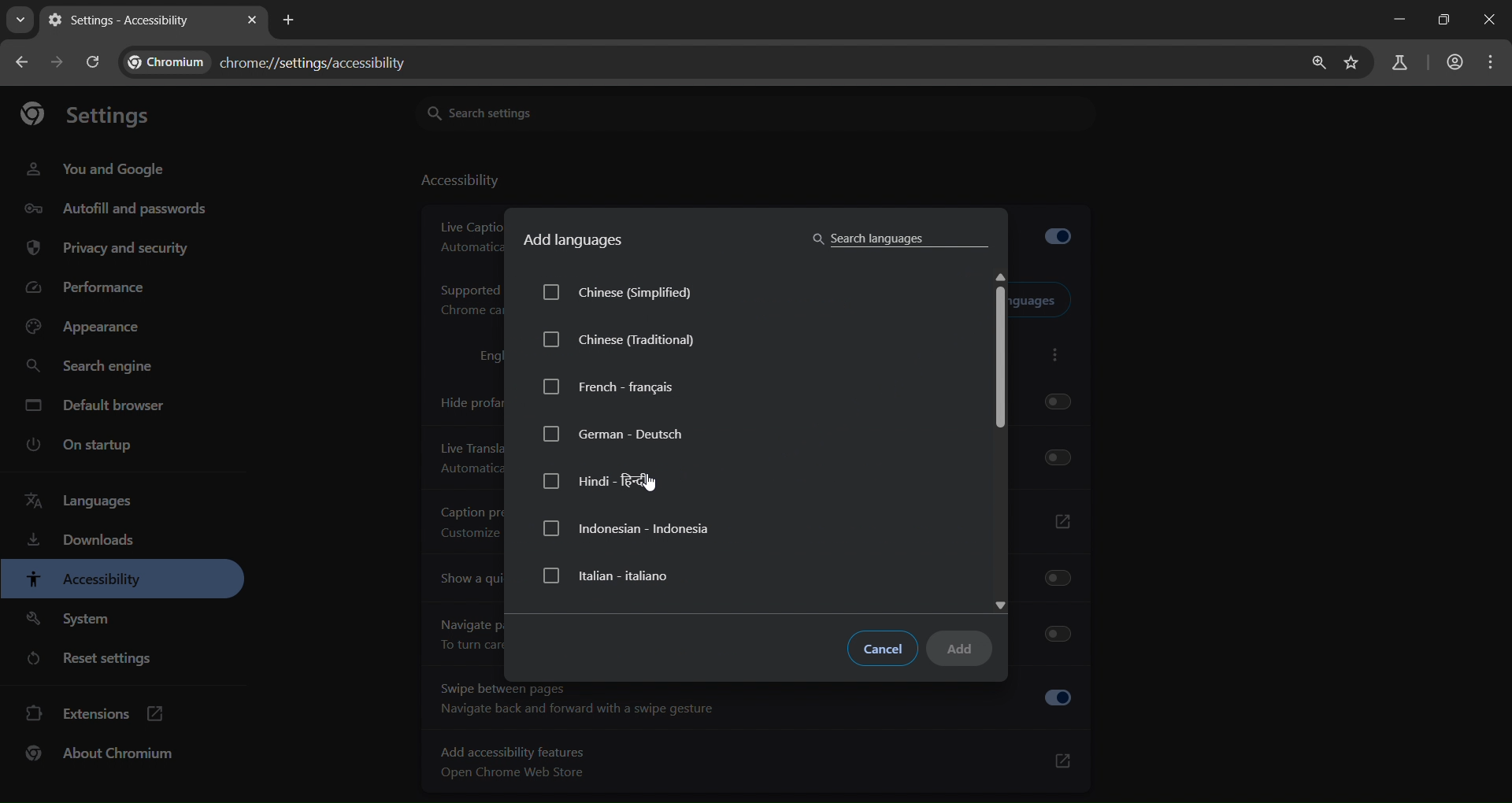  Describe the element at coordinates (117, 210) in the screenshot. I see `autofill and passwords` at that location.